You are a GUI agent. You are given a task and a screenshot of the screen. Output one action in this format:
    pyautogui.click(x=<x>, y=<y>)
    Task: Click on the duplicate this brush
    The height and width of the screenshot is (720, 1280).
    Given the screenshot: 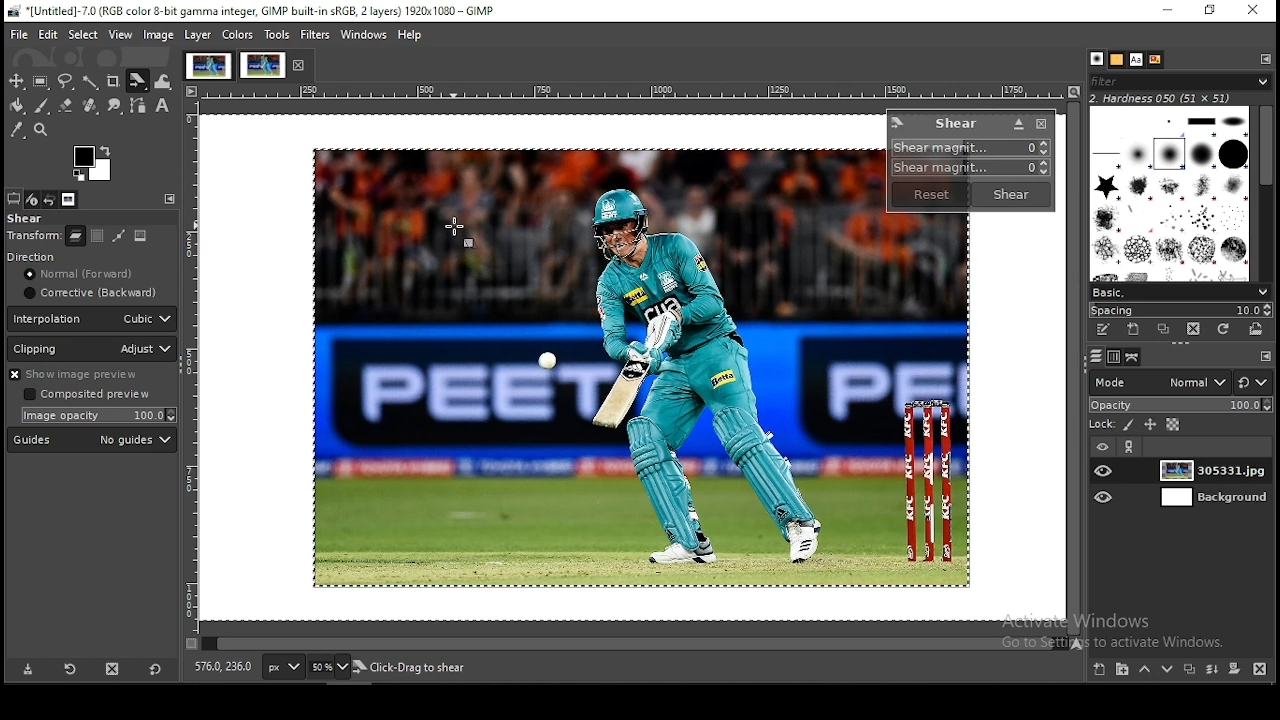 What is the action you would take?
    pyautogui.click(x=1163, y=329)
    